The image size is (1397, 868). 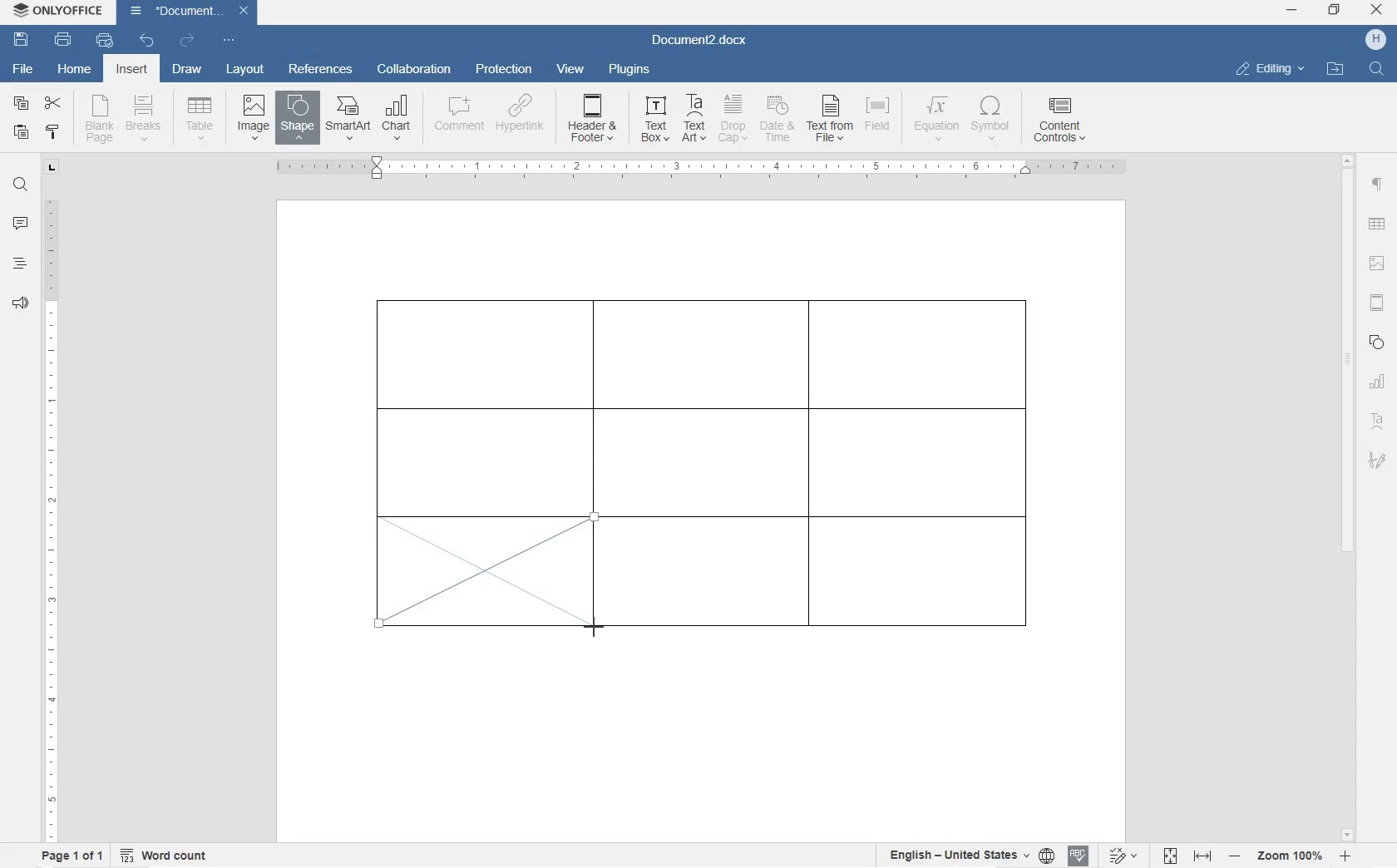 I want to click on layout, so click(x=246, y=70).